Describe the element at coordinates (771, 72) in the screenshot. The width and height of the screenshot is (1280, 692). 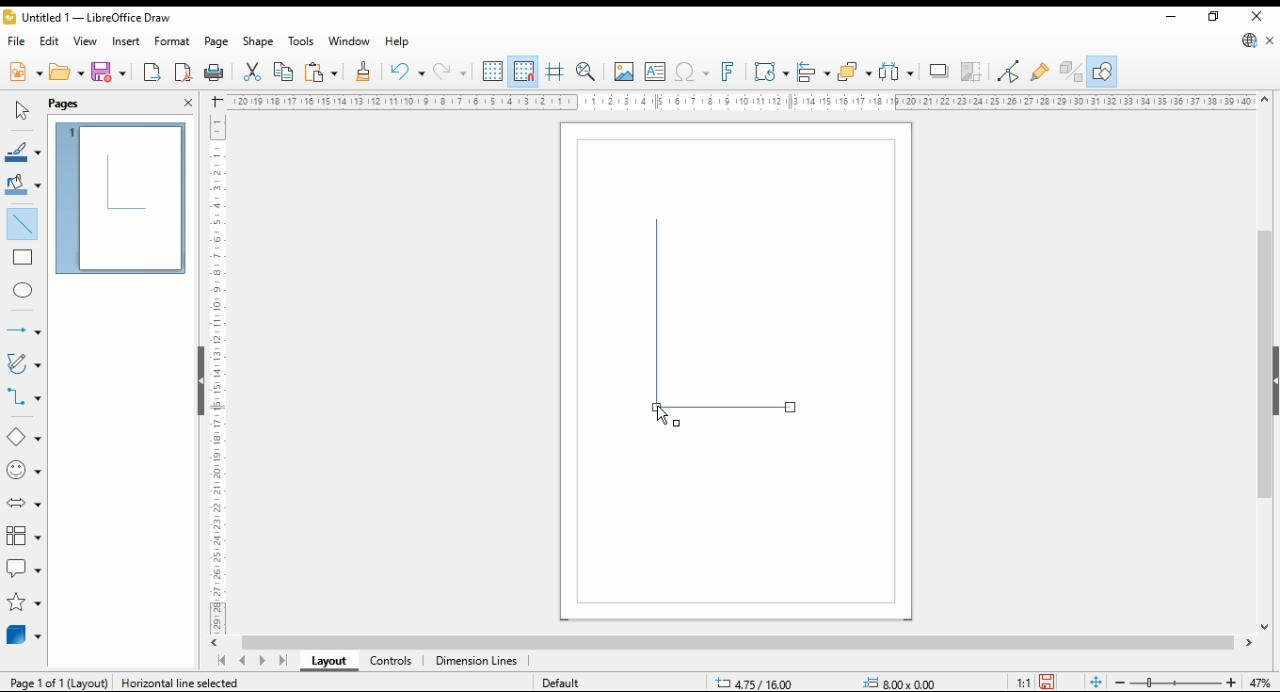
I see `transformations` at that location.